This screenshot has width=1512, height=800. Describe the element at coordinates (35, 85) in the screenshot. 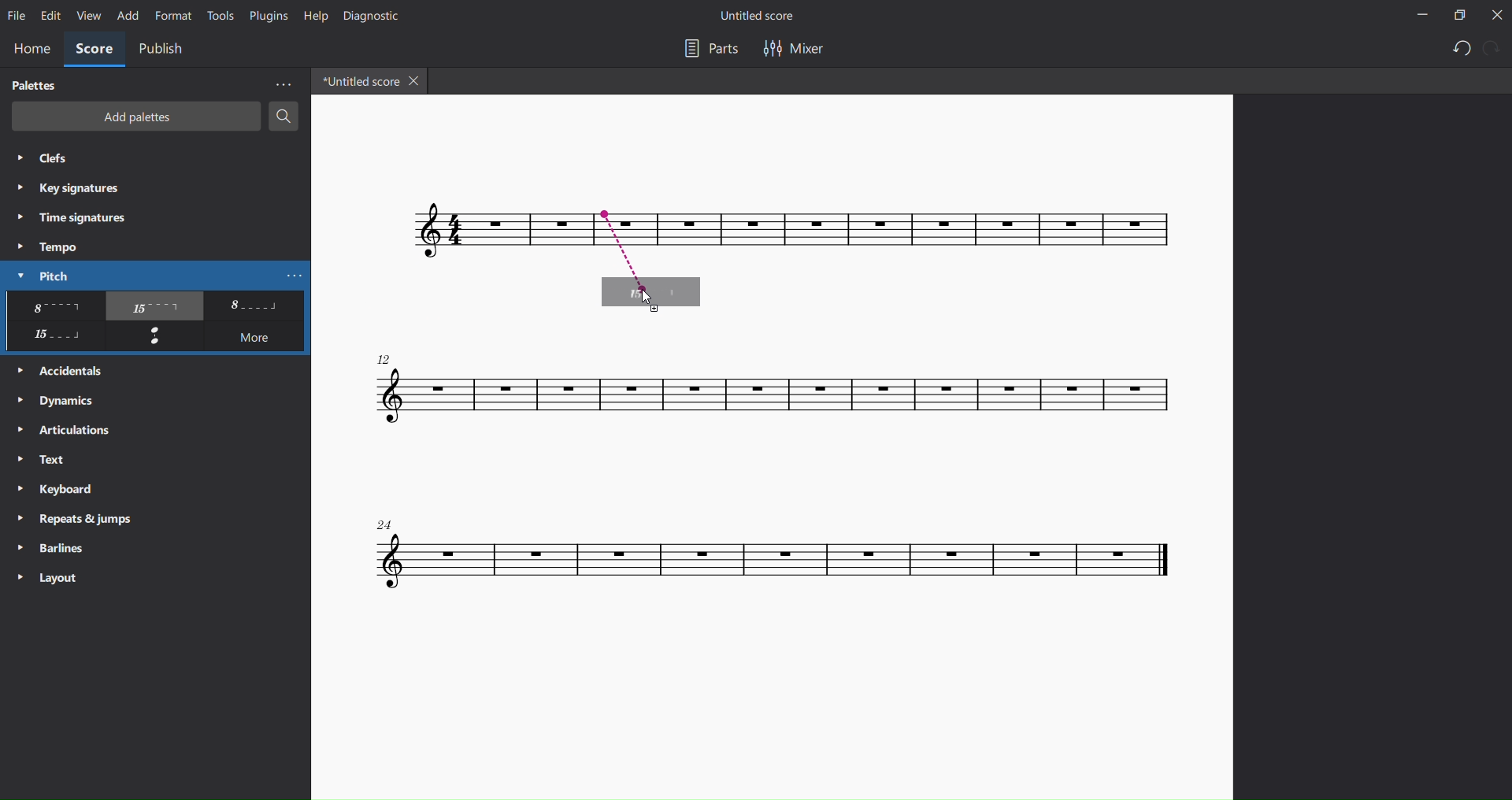

I see `palettes` at that location.